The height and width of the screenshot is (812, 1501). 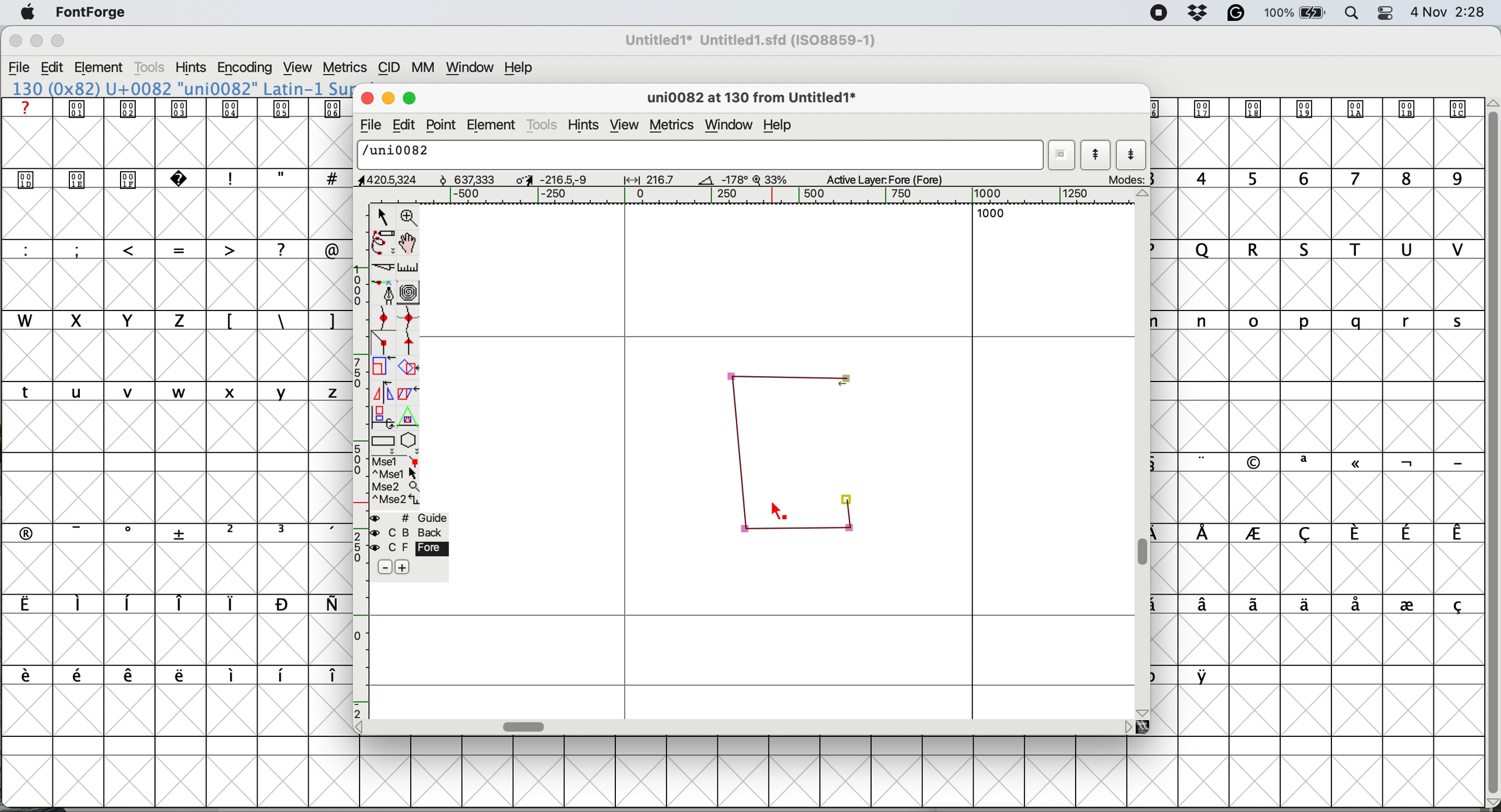 What do you see at coordinates (770, 179) in the screenshot?
I see `zoom factor` at bounding box center [770, 179].